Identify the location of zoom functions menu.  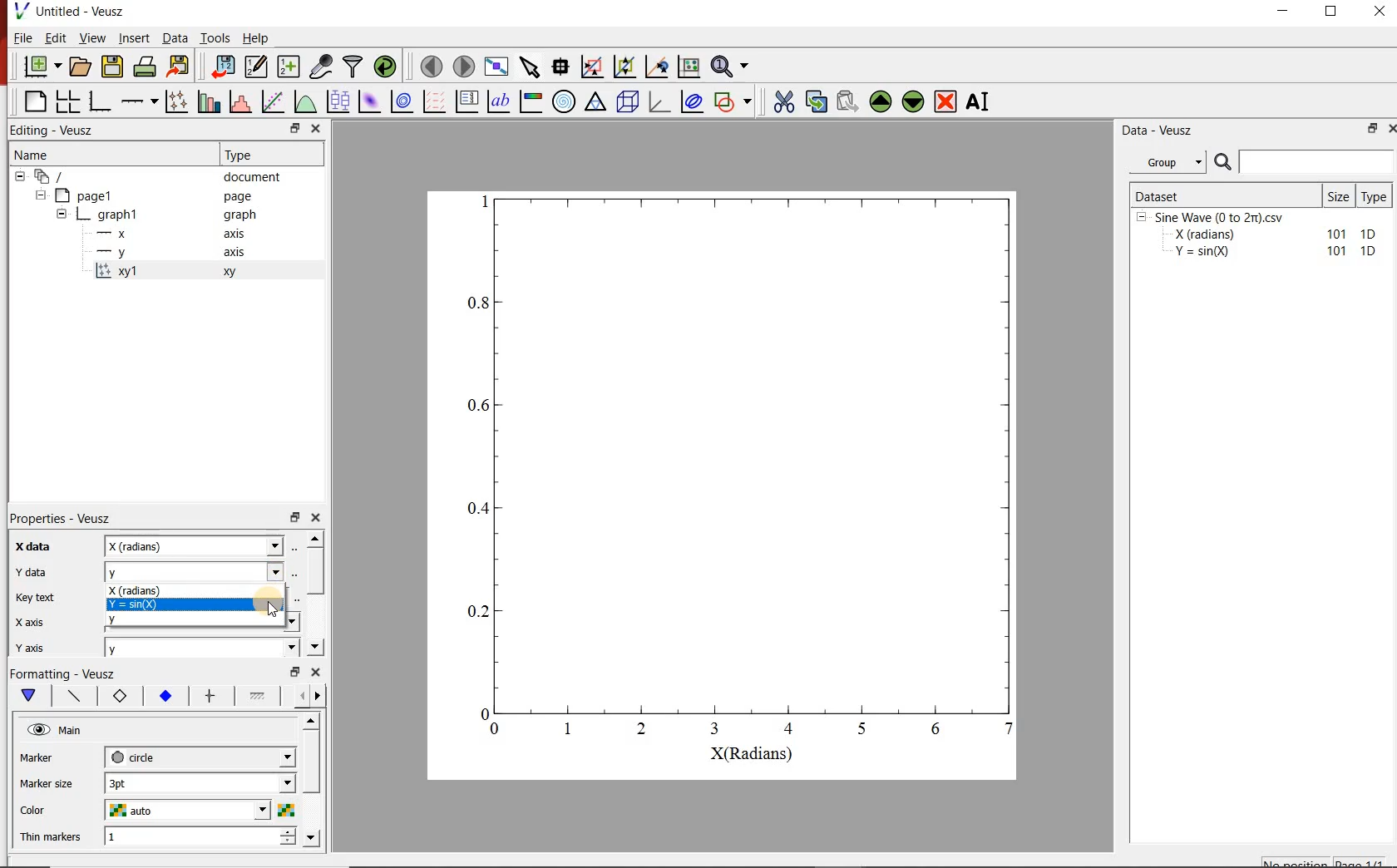
(732, 64).